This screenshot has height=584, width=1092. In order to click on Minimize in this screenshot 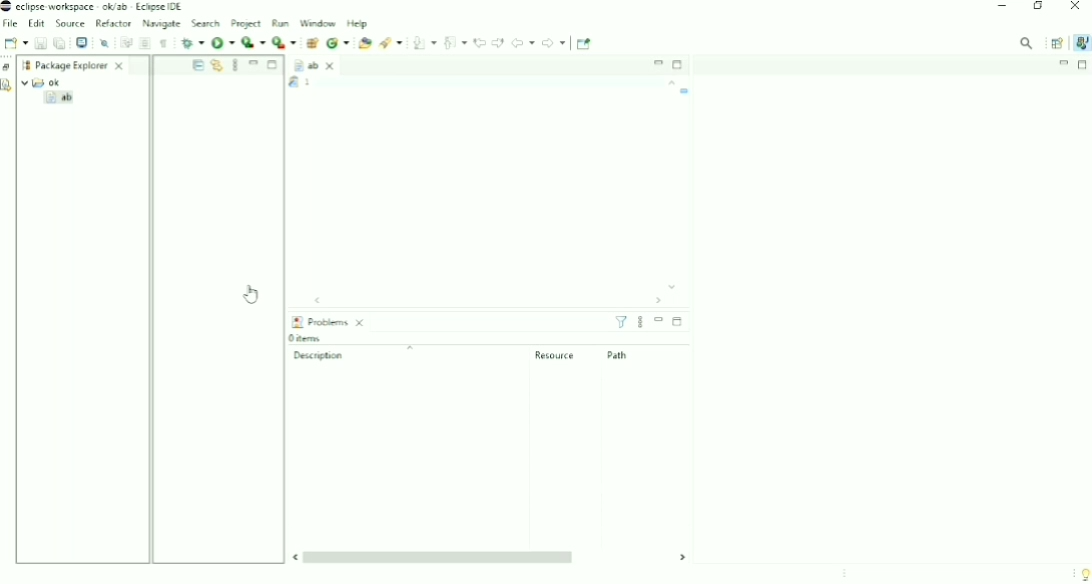, I will do `click(659, 320)`.